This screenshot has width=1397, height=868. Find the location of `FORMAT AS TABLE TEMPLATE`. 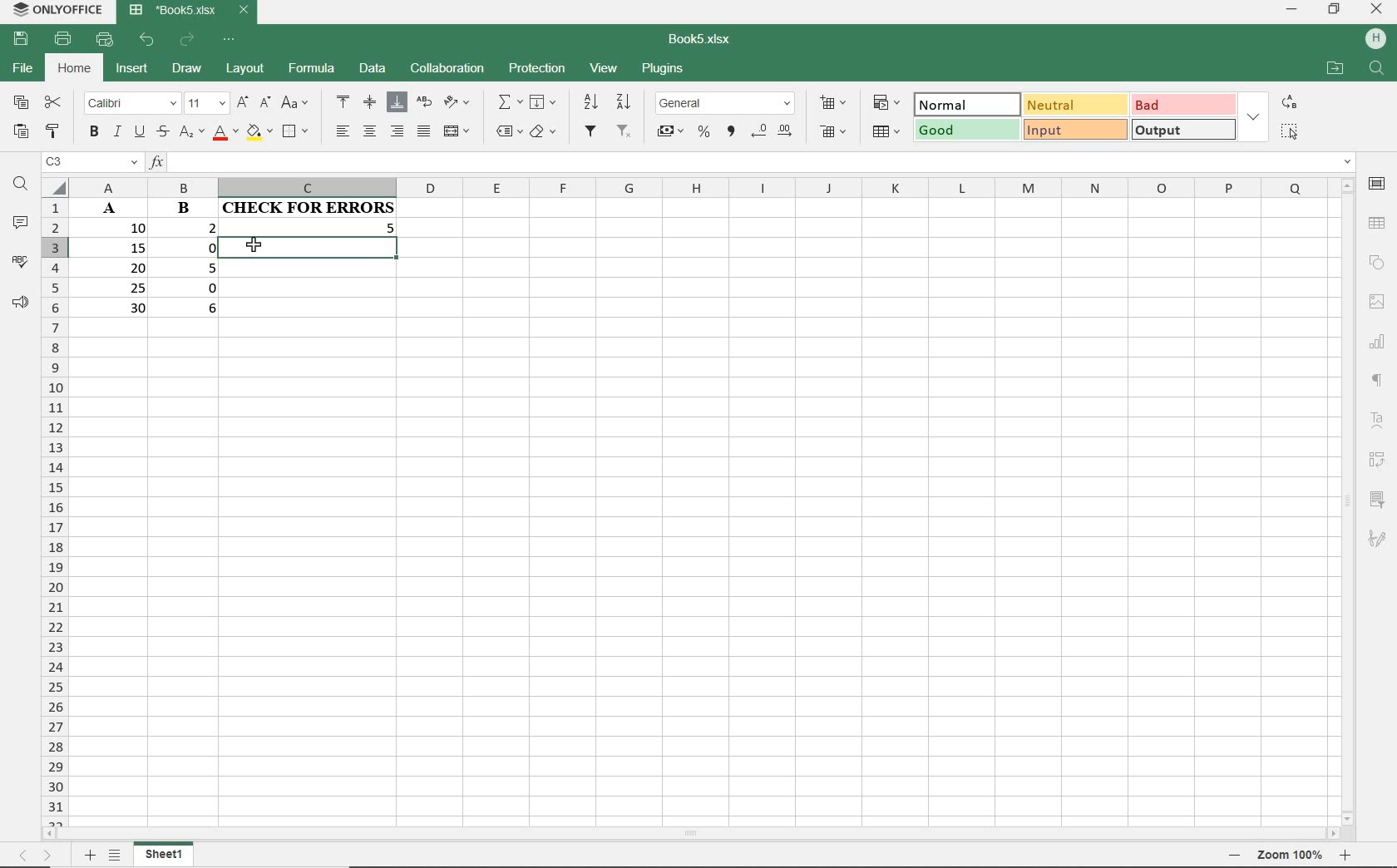

FORMAT AS TABLE TEMPLATE is located at coordinates (886, 131).